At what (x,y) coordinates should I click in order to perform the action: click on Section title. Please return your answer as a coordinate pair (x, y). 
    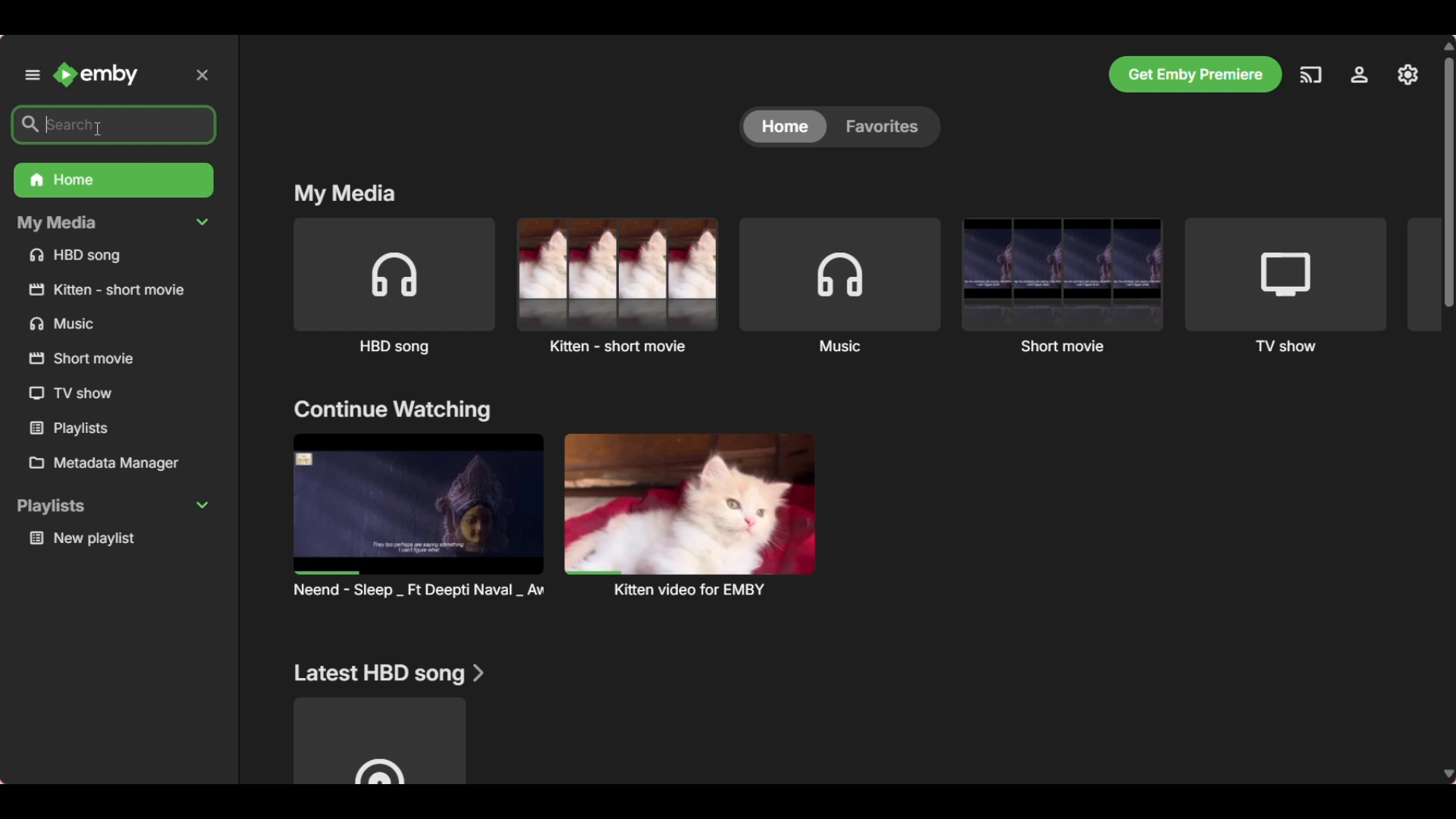
    Looking at the image, I should click on (388, 674).